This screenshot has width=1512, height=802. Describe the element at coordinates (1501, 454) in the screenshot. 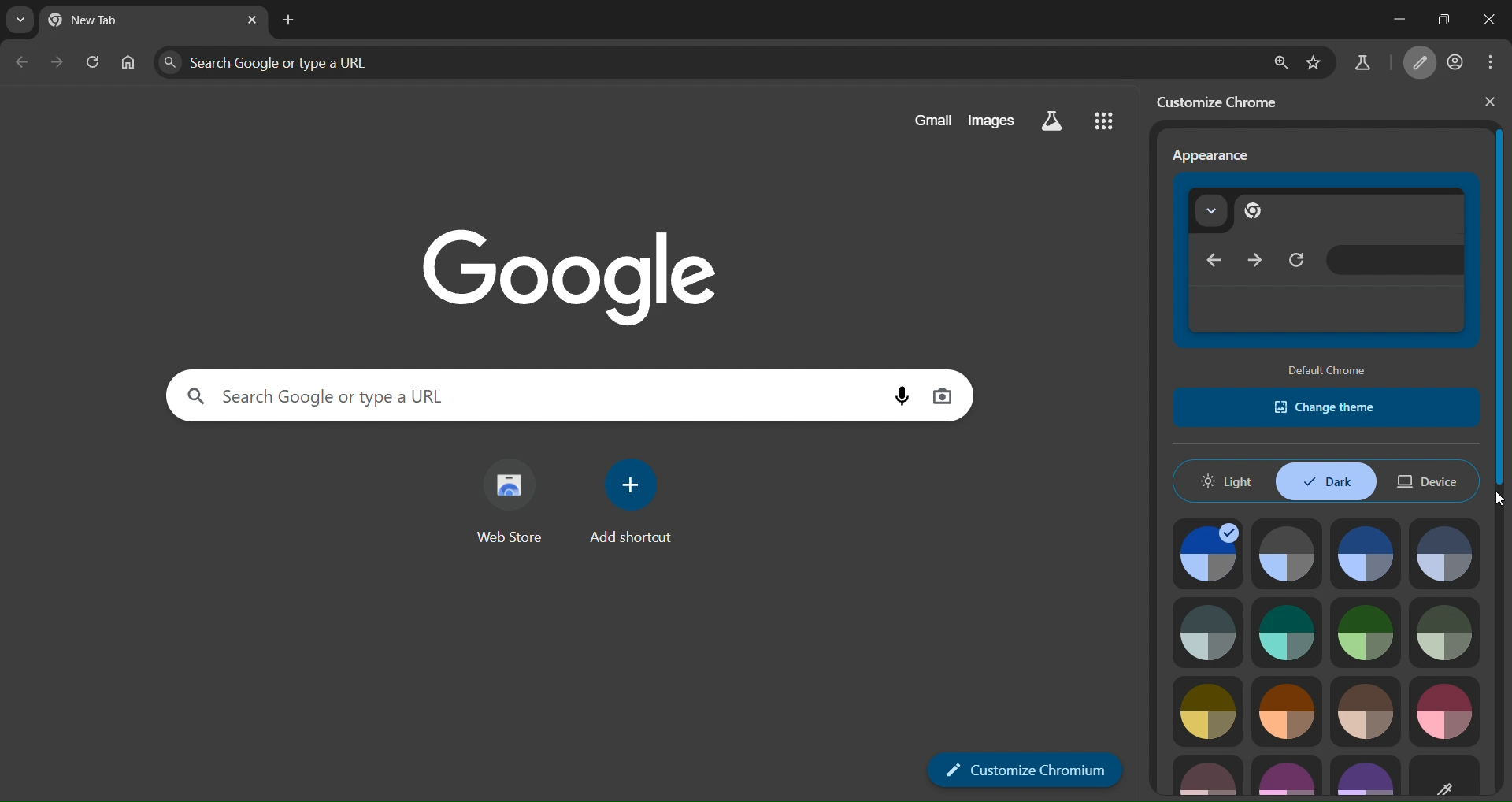

I see `vertical scrollbar` at that location.